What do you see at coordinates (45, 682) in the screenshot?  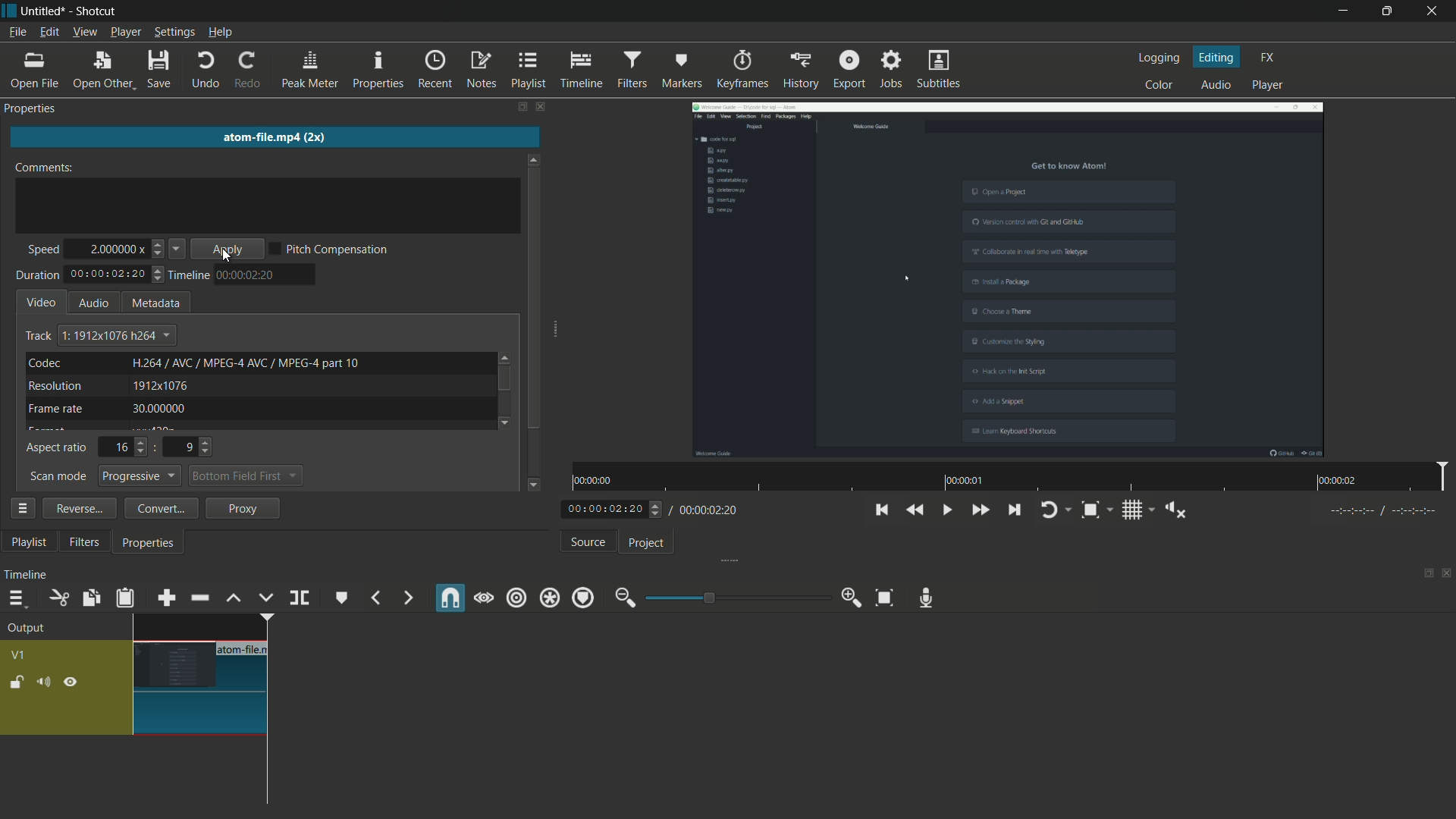 I see `mute` at bounding box center [45, 682].